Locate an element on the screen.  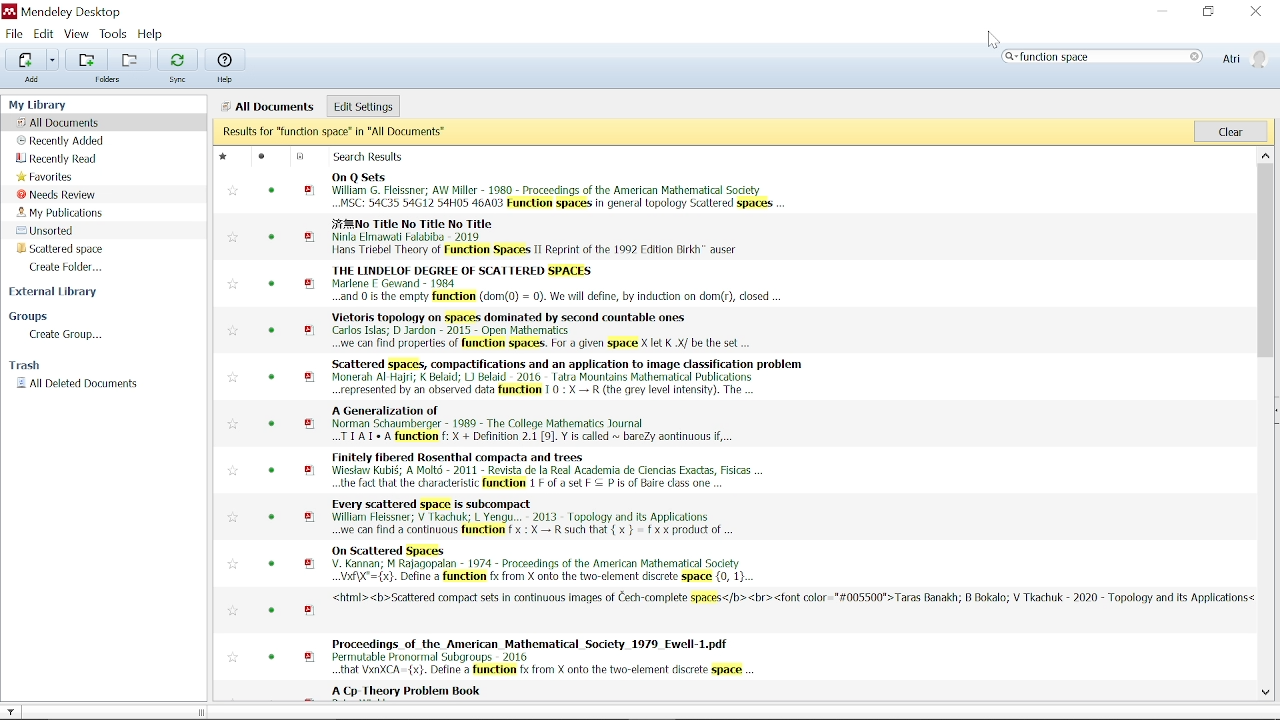
On Q Sets William G. Fleissner AW Miller - 1980 of the Amin Mathematical ocCH A er 10D Rss of the Americas Huthematial Sooety, is located at coordinates (755, 190).